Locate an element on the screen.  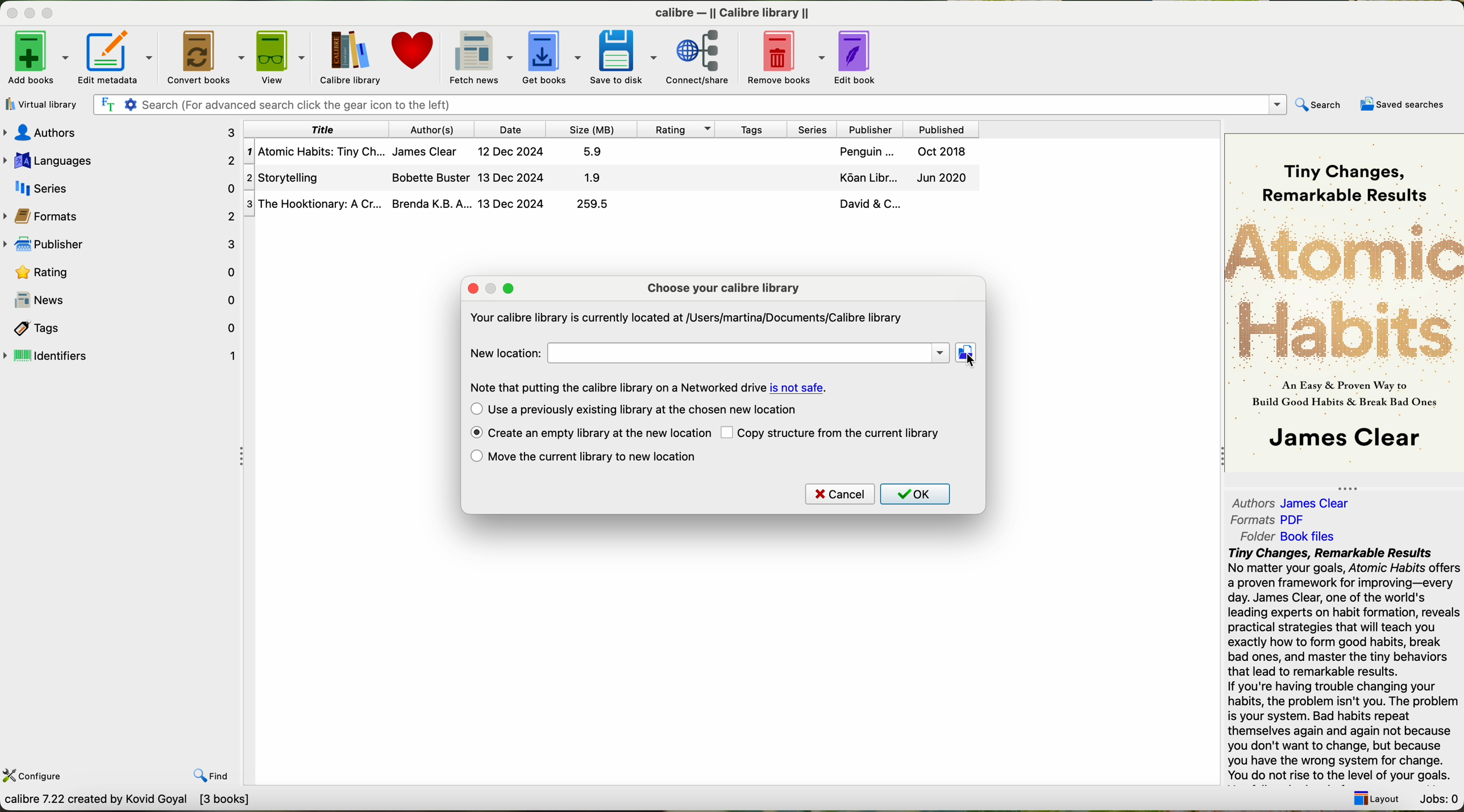
click on new location is located at coordinates (965, 352).